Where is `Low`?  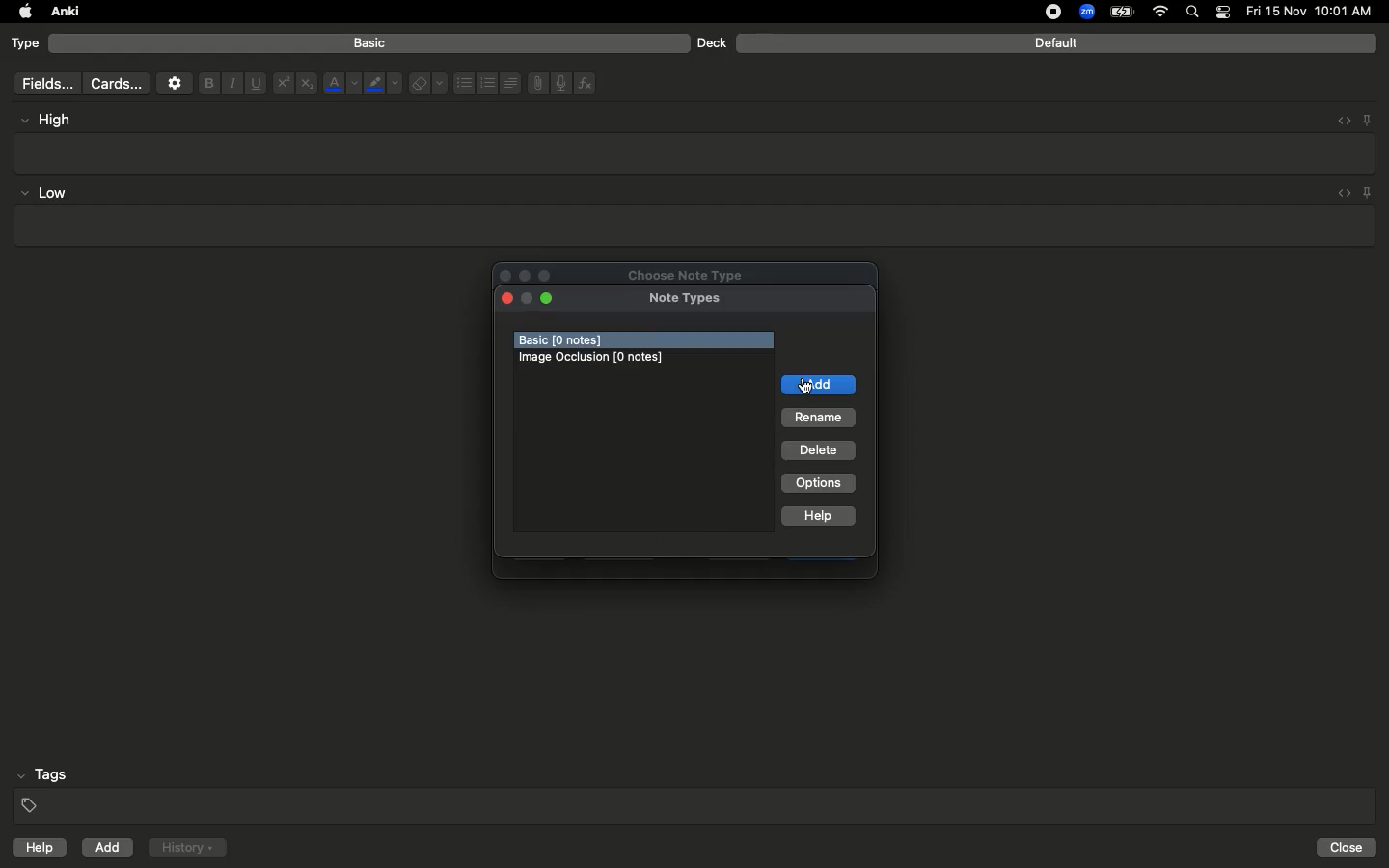 Low is located at coordinates (44, 194).